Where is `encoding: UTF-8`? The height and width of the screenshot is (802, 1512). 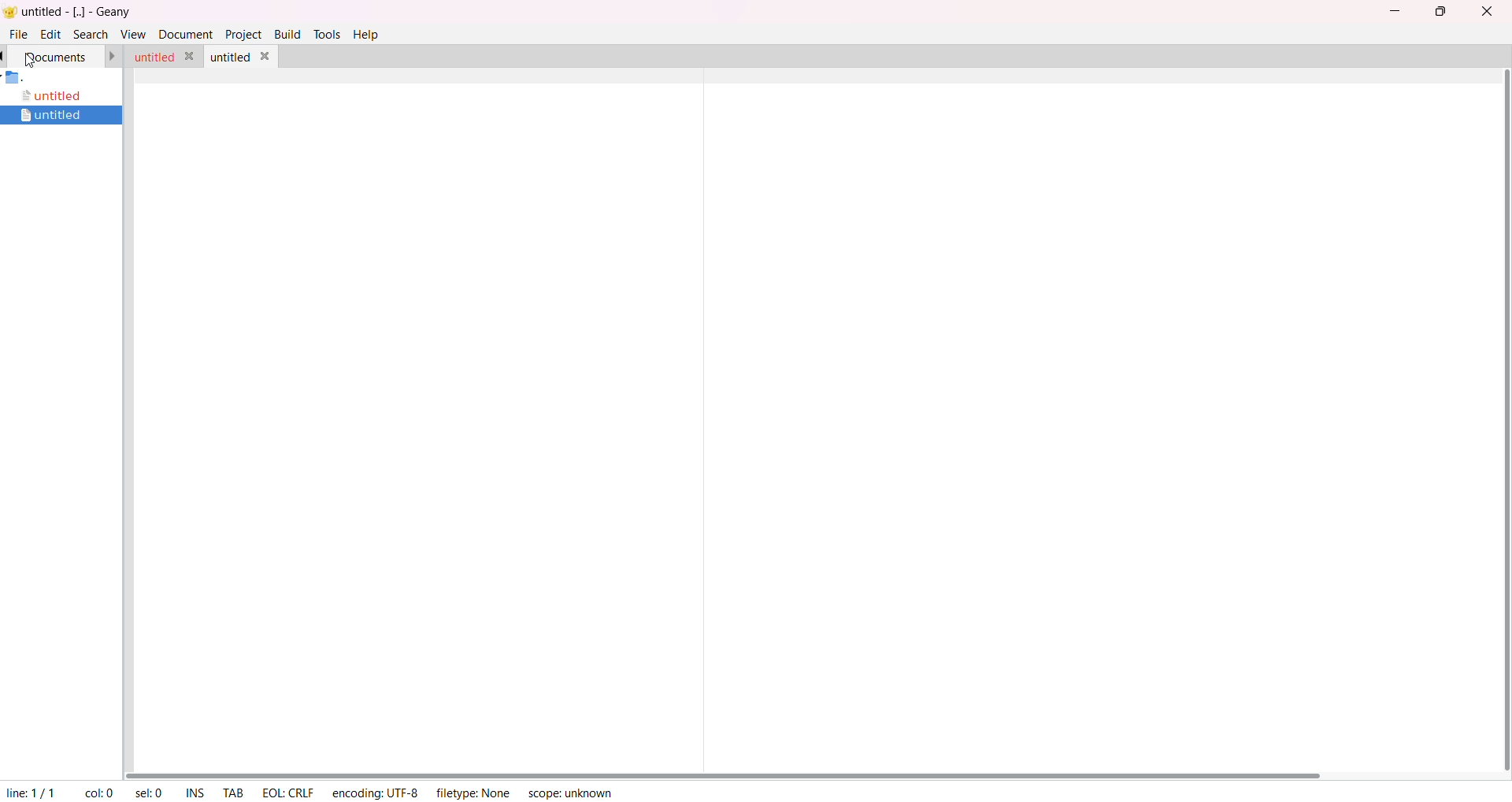 encoding: UTF-8 is located at coordinates (373, 793).